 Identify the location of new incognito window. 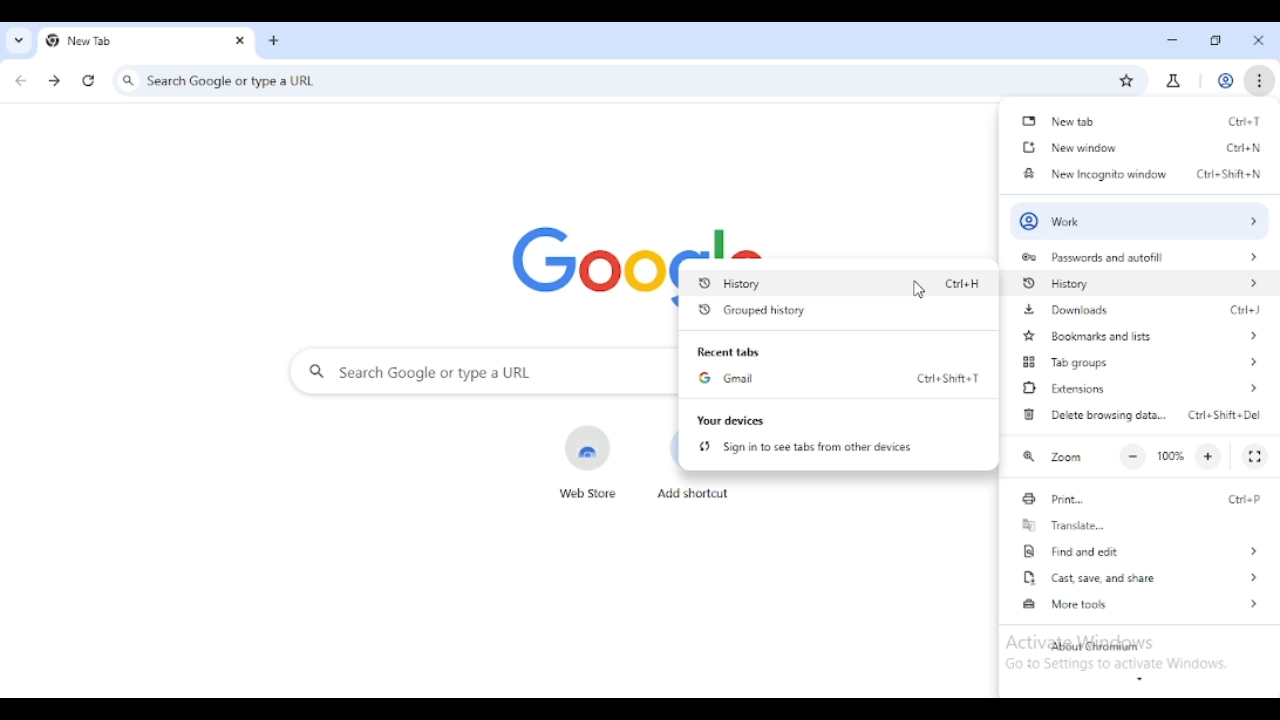
(1094, 172).